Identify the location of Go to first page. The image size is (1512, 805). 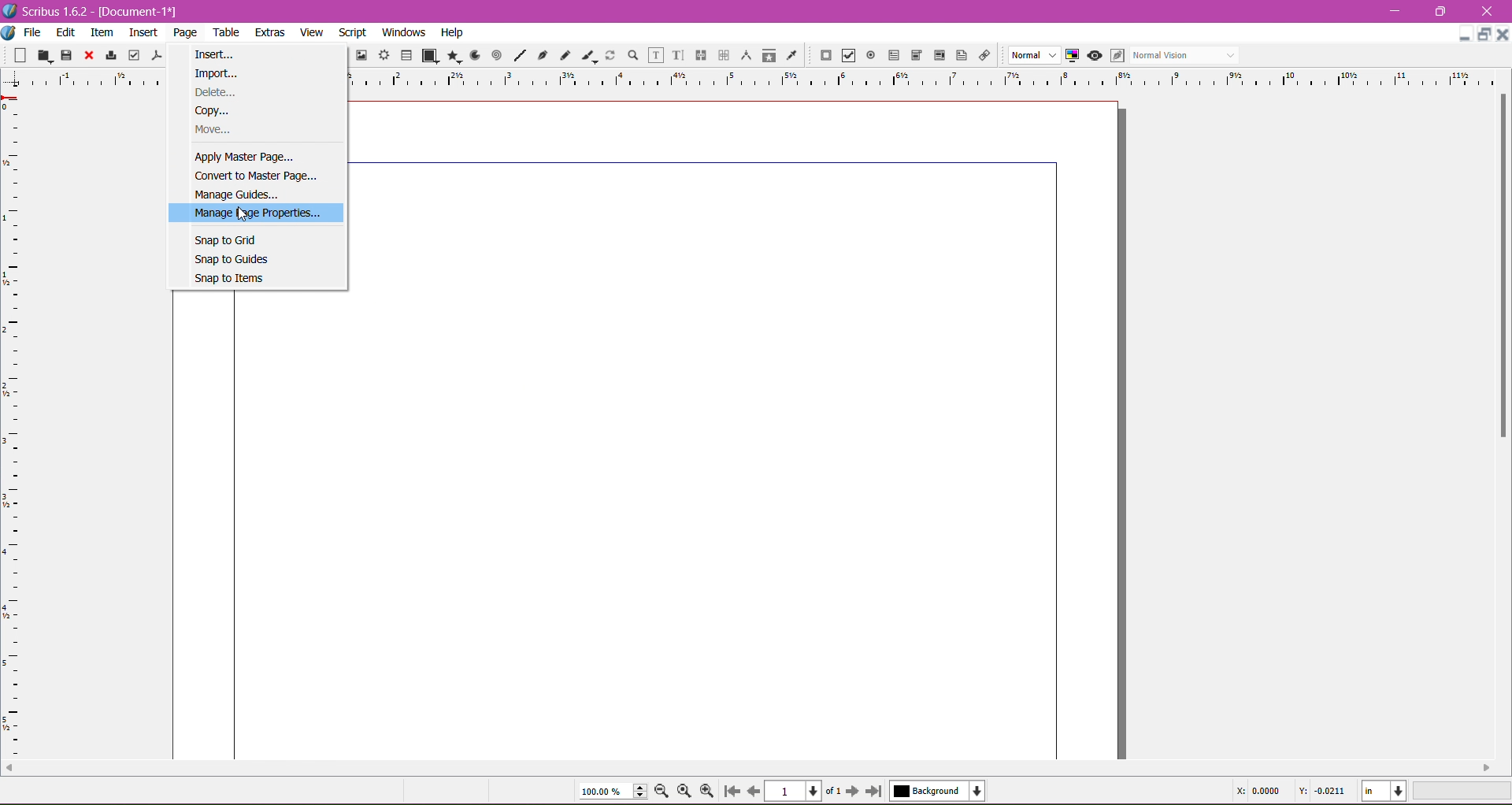
(730, 792).